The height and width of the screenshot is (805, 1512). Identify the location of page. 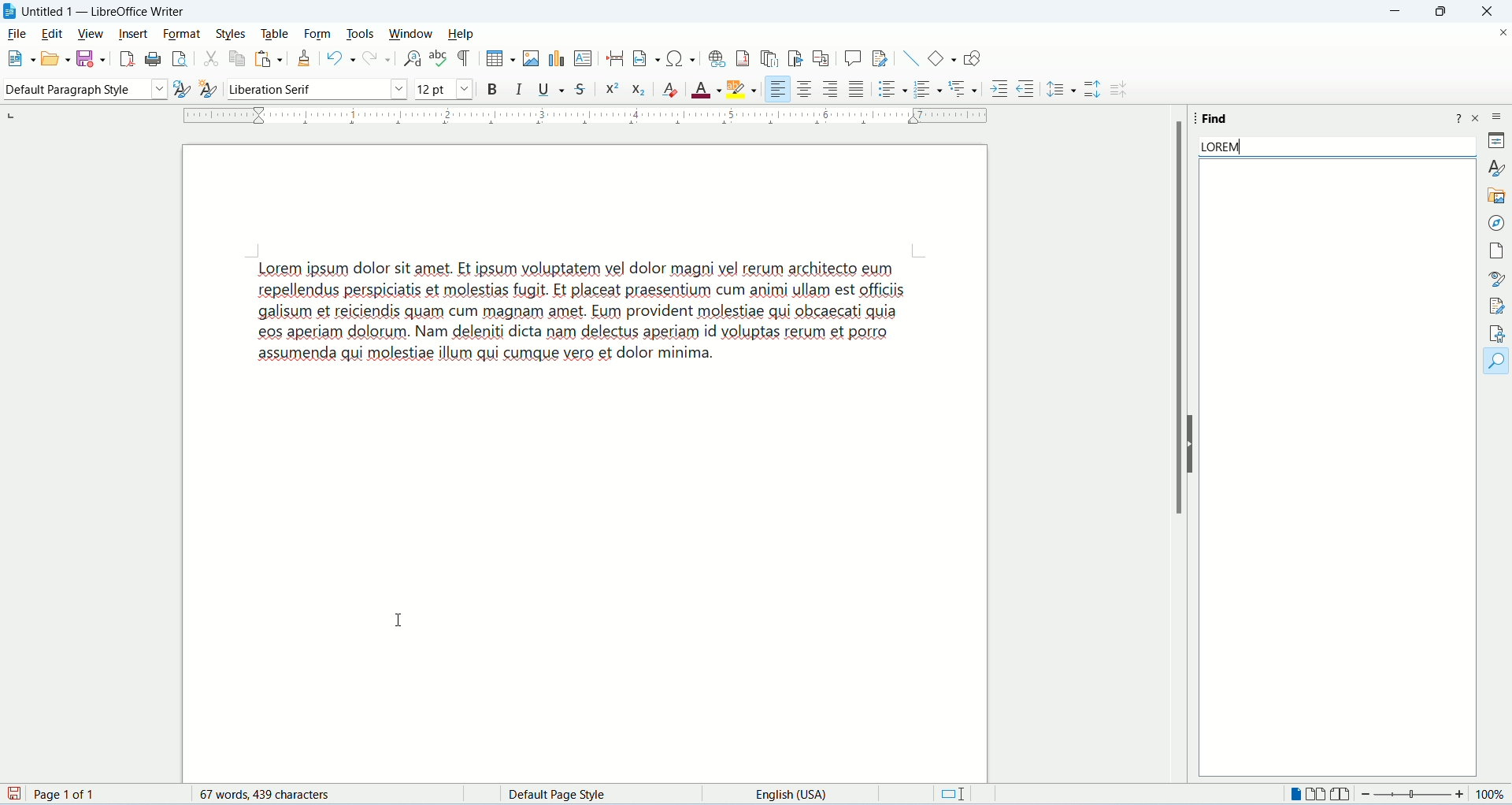
(50, 795).